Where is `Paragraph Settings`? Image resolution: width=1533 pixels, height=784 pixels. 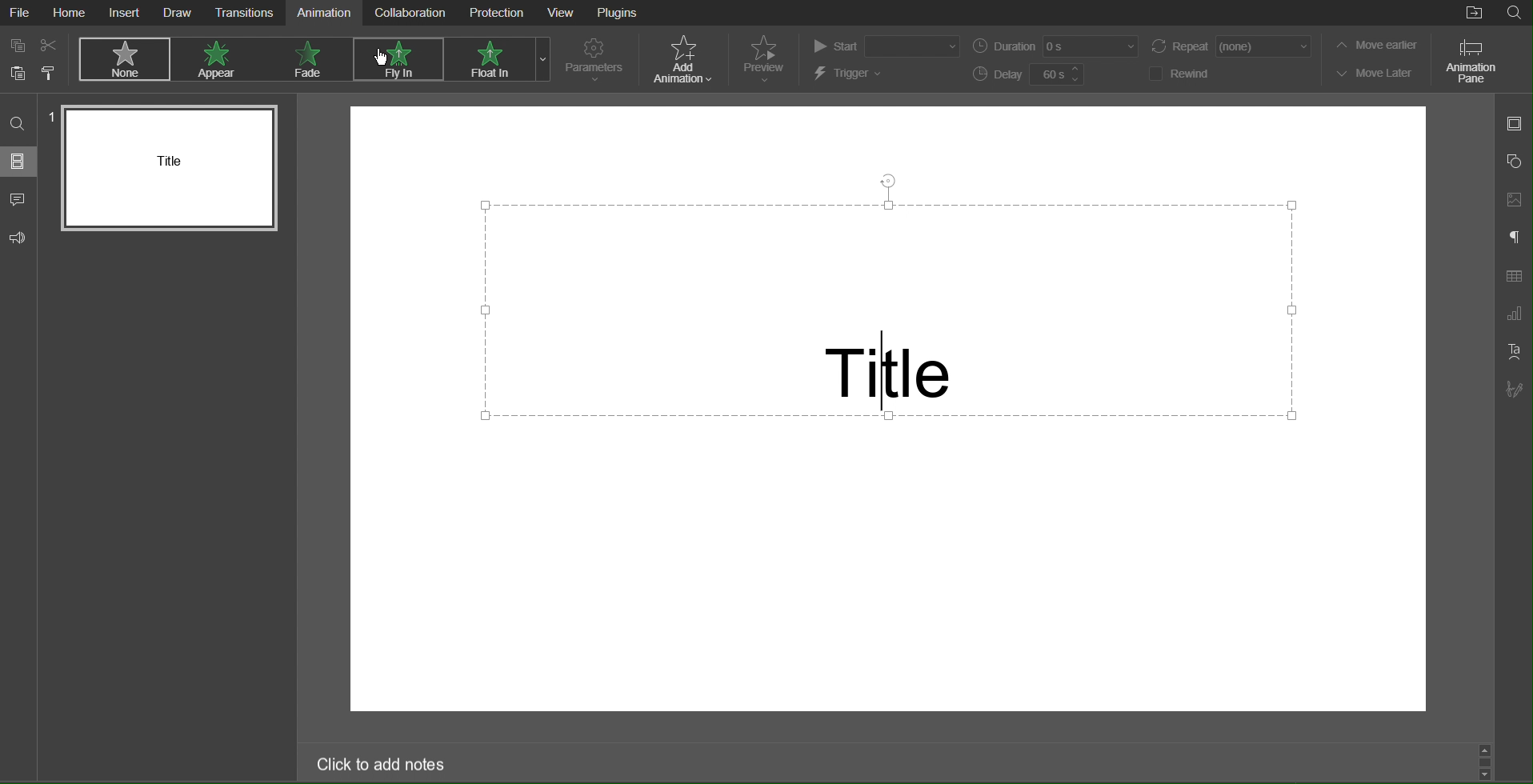
Paragraph Settings is located at coordinates (1514, 237).